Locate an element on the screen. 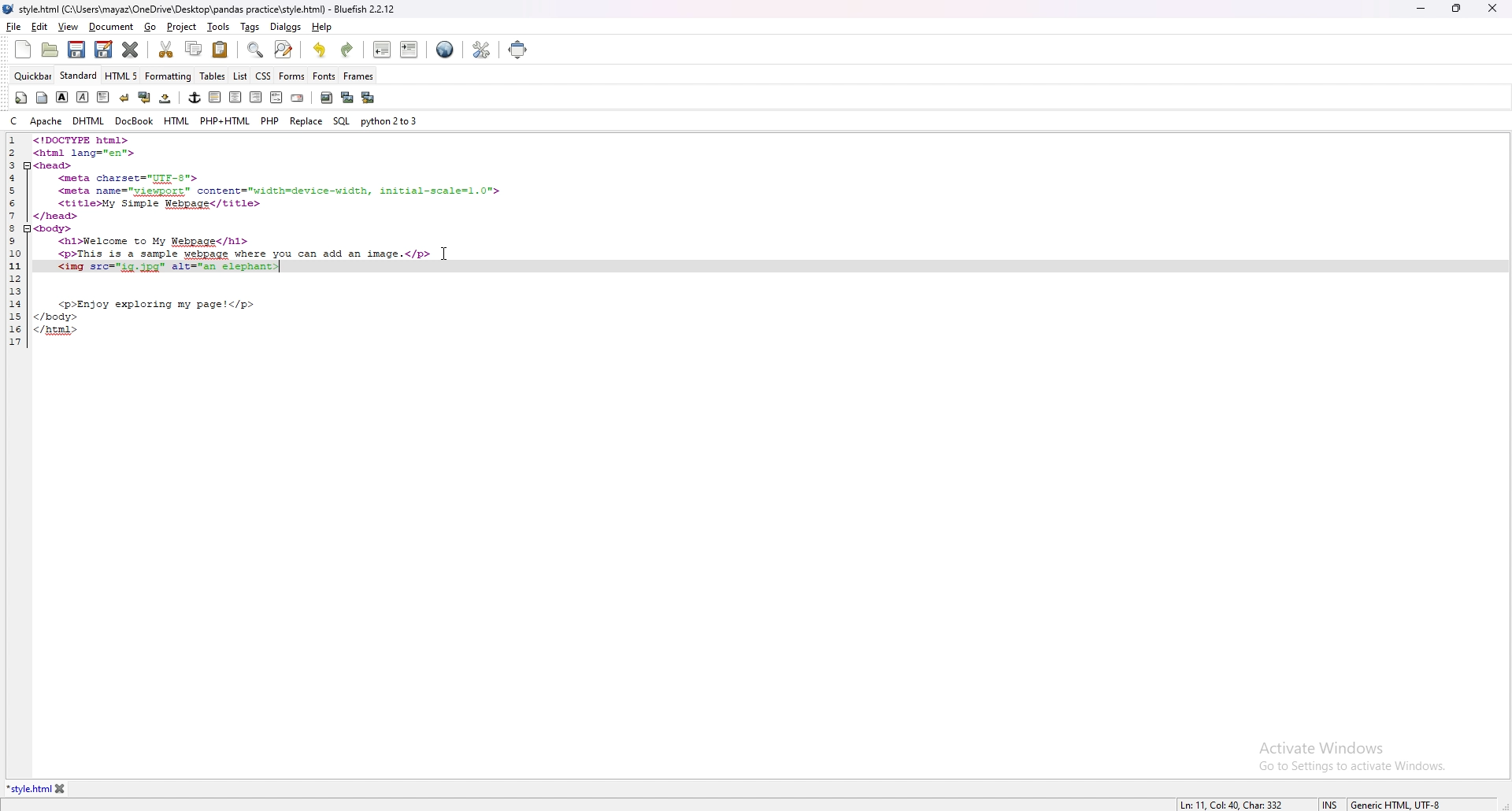  insert image is located at coordinates (327, 98).